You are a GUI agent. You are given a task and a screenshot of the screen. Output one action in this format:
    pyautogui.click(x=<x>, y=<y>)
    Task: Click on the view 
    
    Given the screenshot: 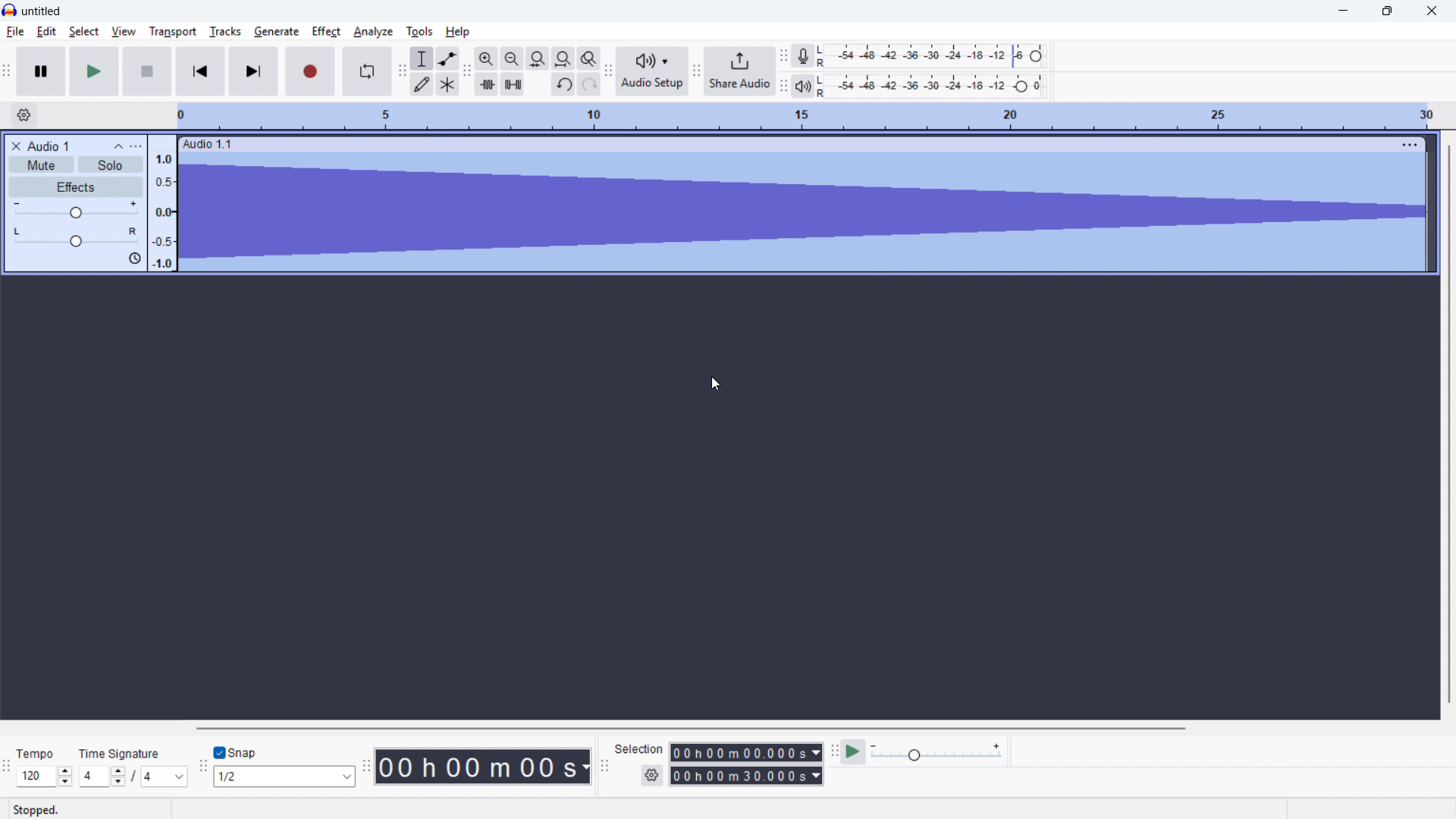 What is the action you would take?
    pyautogui.click(x=124, y=32)
    